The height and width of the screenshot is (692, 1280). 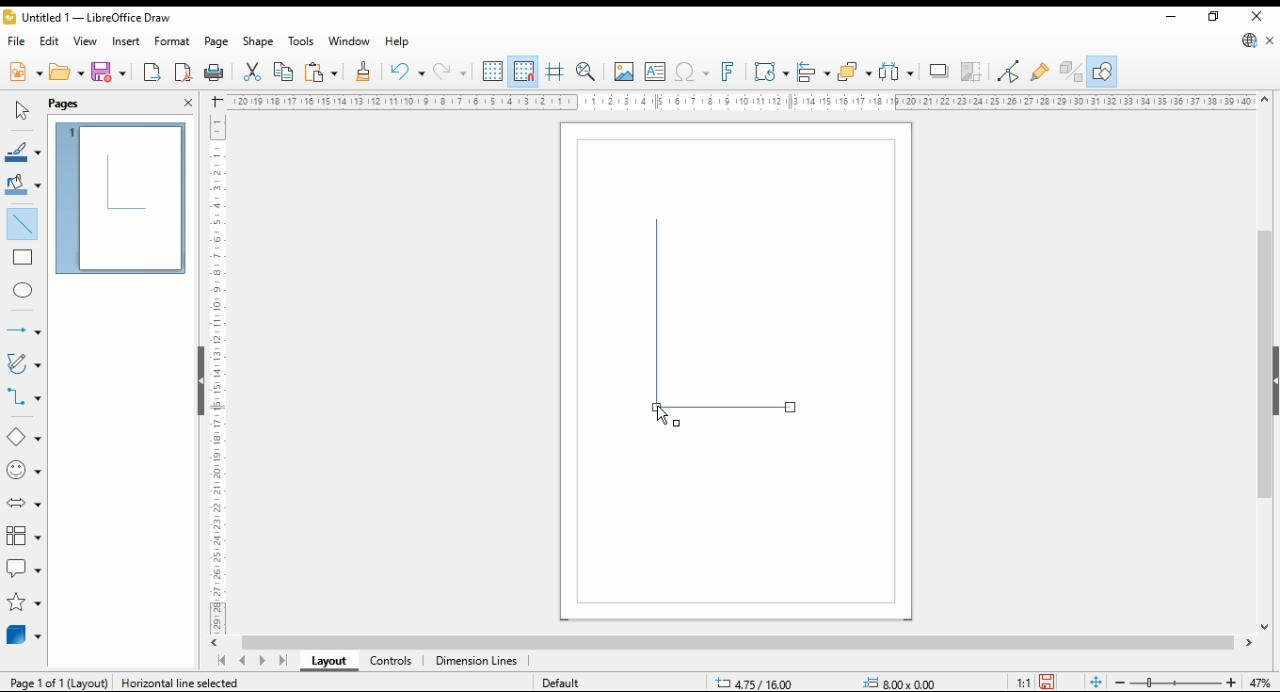 I want to click on select, so click(x=19, y=111).